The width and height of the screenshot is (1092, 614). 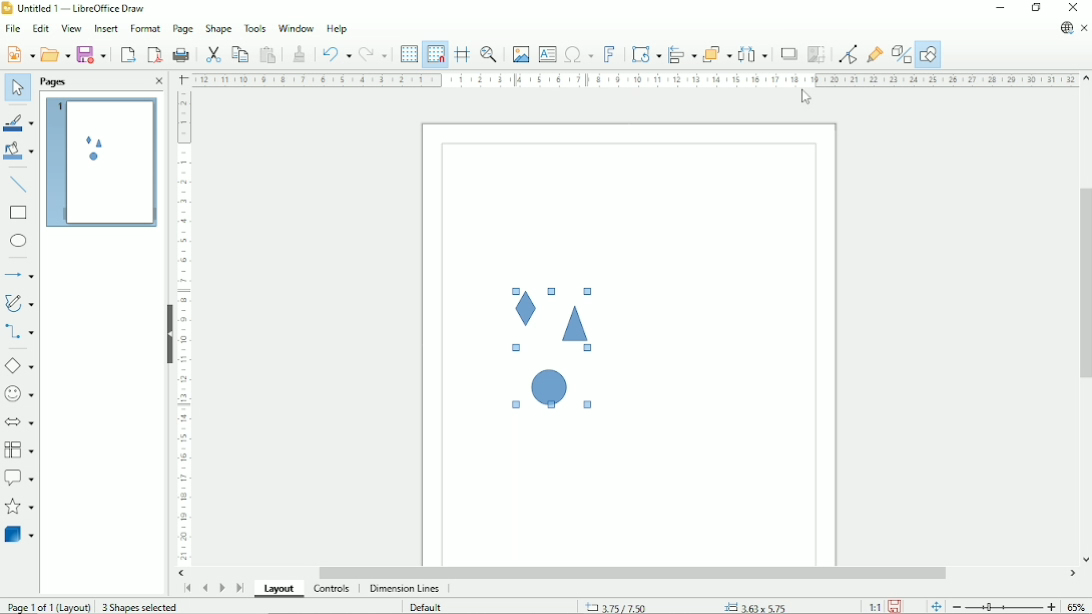 I want to click on Undo, so click(x=336, y=52).